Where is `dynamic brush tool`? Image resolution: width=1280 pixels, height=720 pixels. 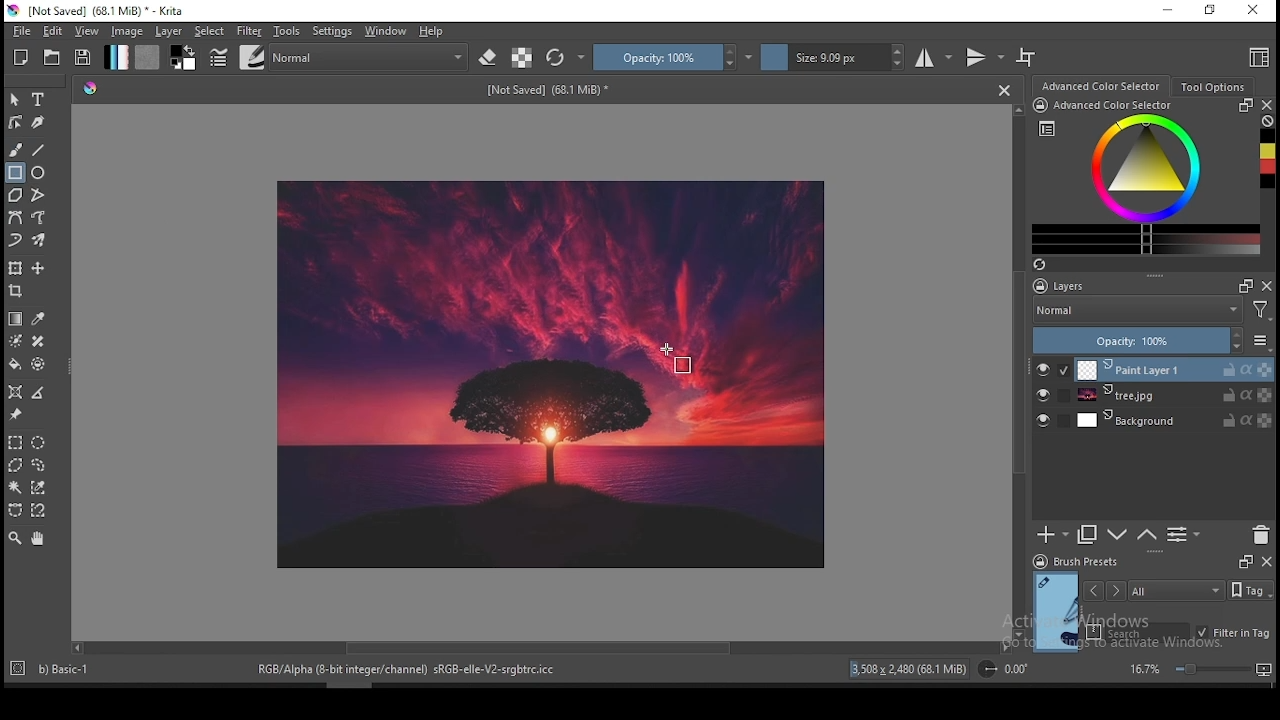
dynamic brush tool is located at coordinates (16, 239).